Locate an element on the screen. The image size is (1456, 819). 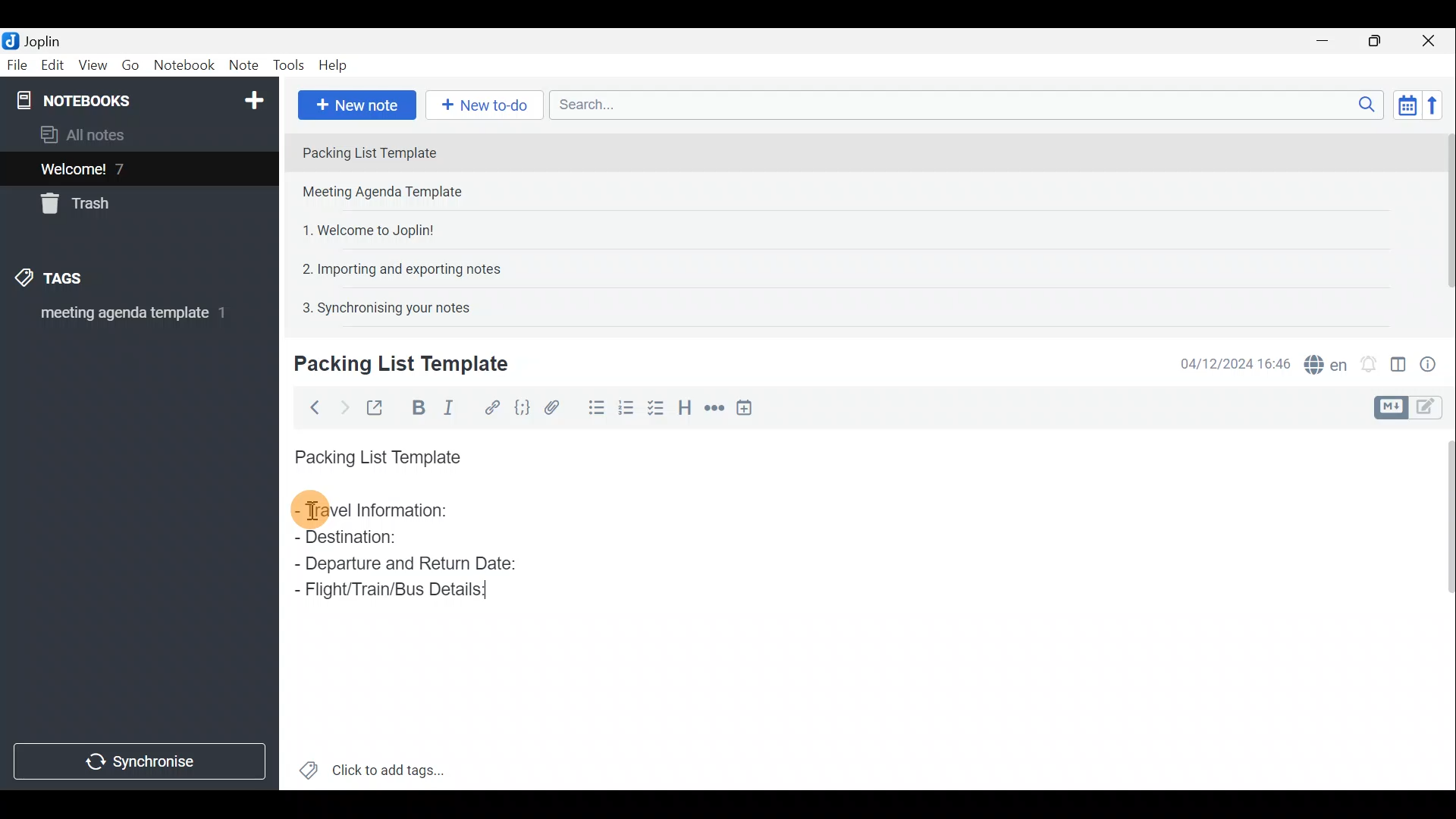
Bold is located at coordinates (416, 406).